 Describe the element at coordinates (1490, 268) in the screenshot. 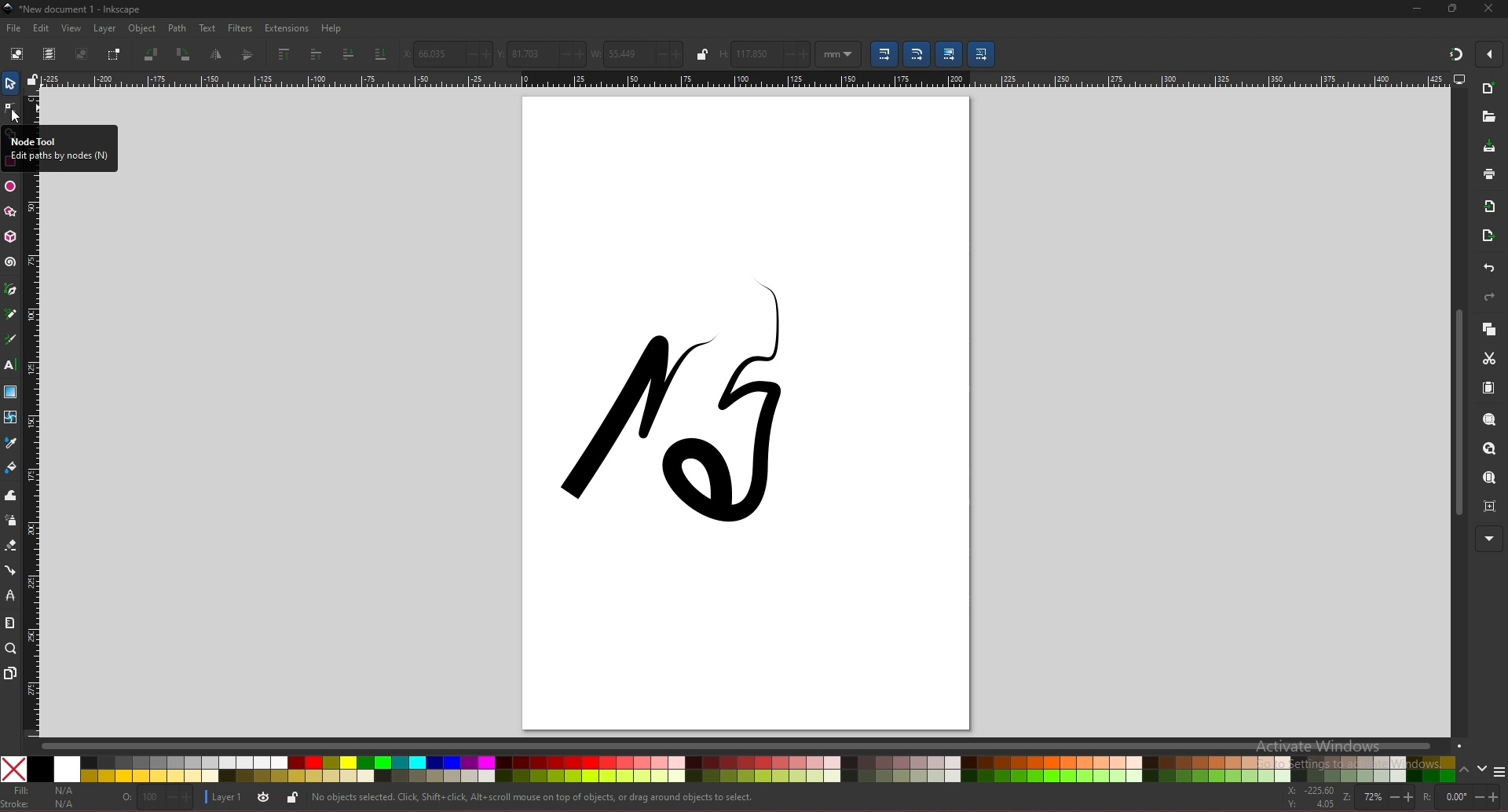

I see `undo` at that location.